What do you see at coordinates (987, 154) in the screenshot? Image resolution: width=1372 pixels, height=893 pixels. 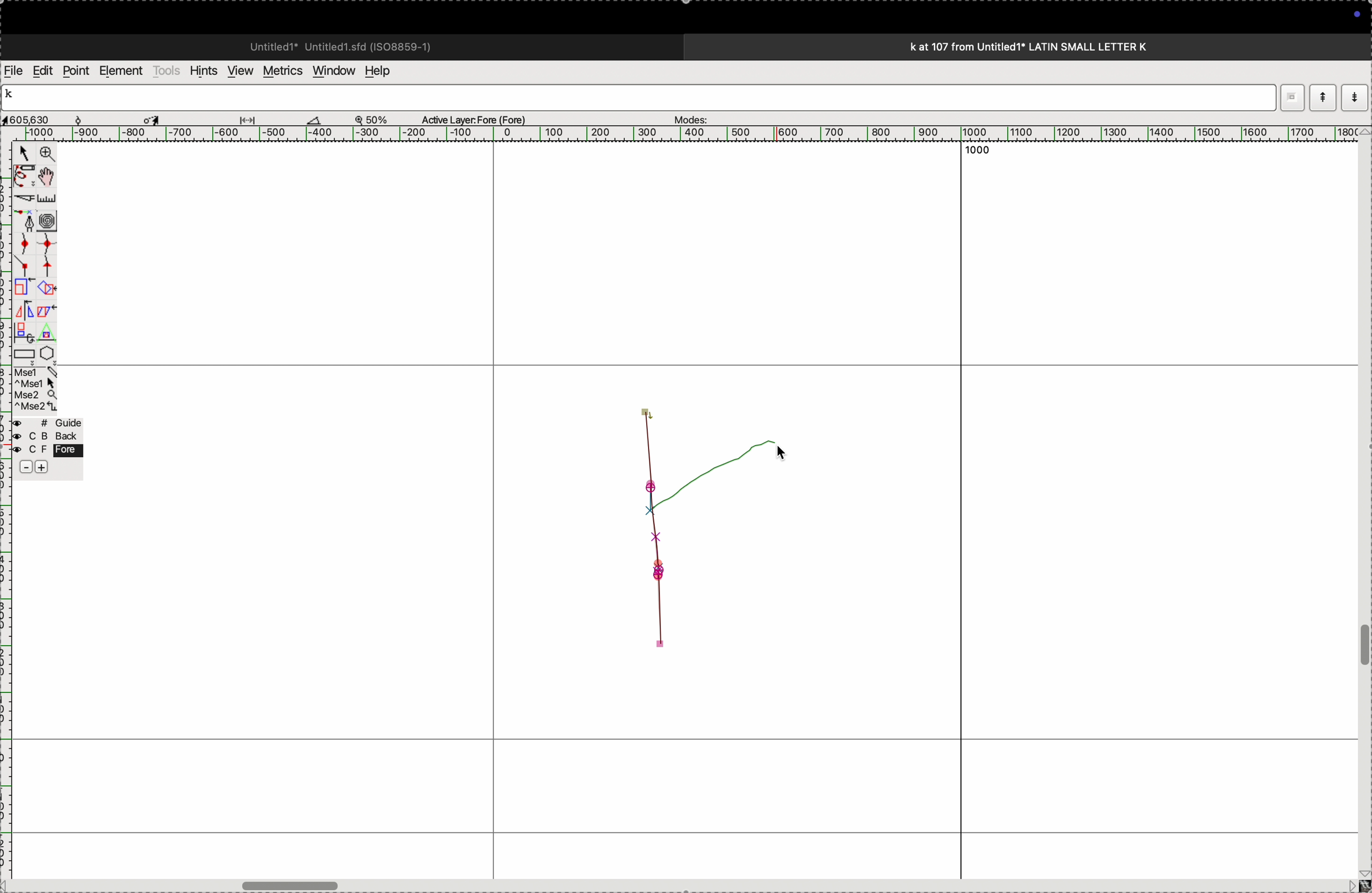 I see `1000` at bounding box center [987, 154].